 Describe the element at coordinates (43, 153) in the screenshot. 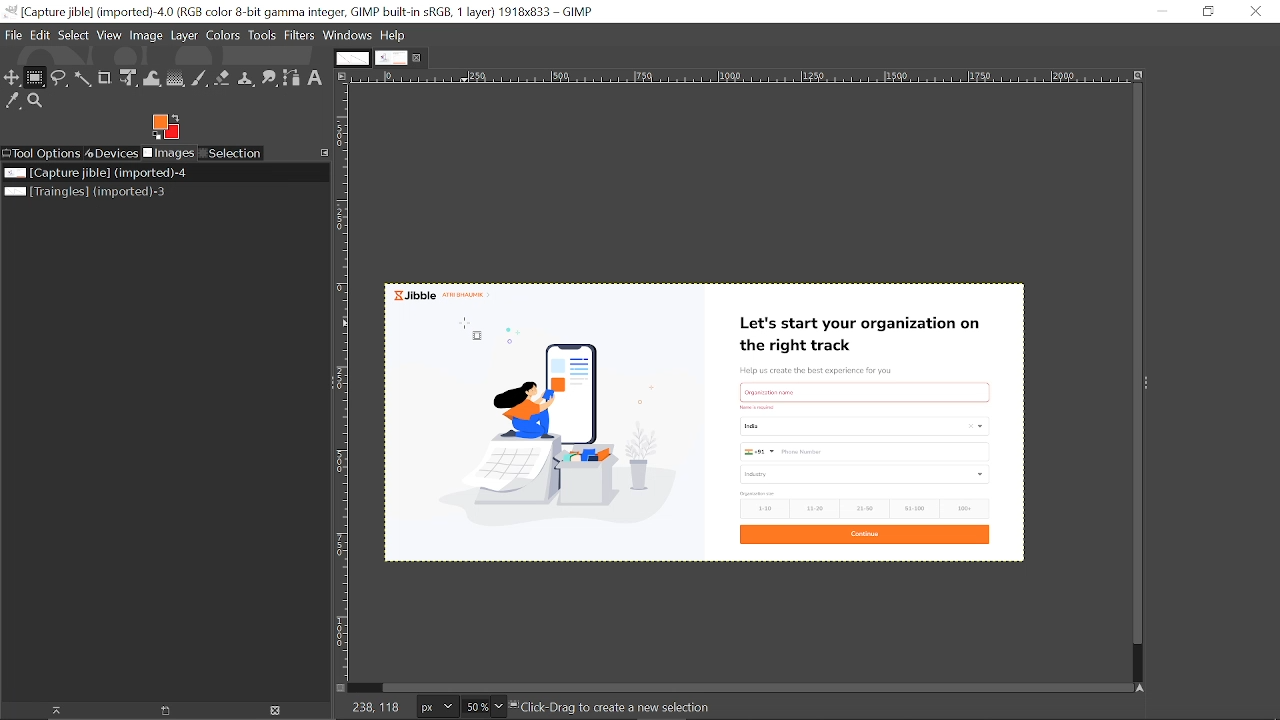

I see `Tool options` at that location.